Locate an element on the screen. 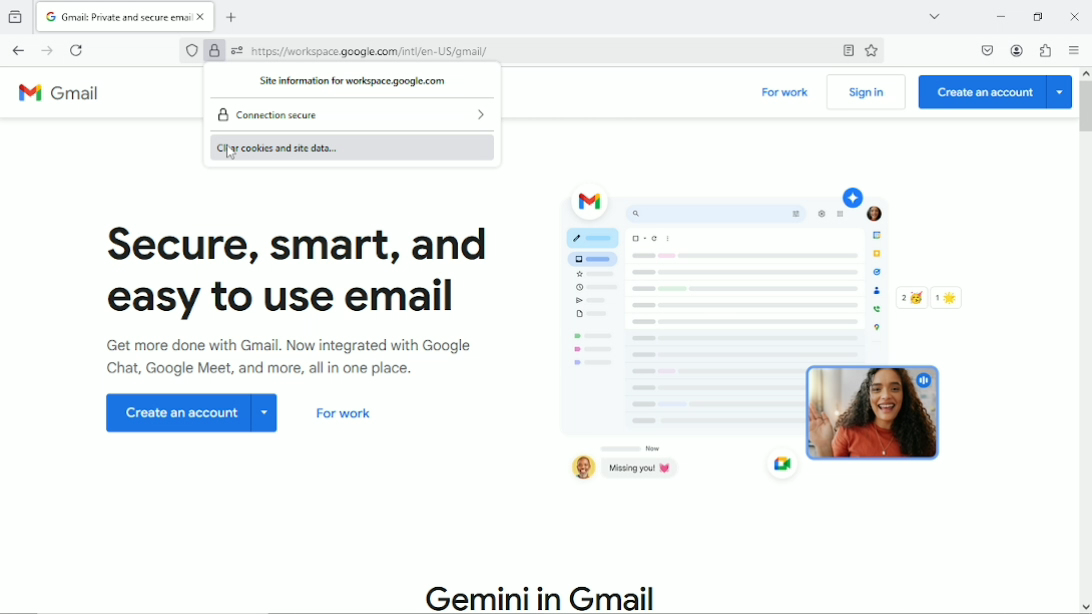 The image size is (1092, 614). You have granted this website additional permissions is located at coordinates (235, 51).